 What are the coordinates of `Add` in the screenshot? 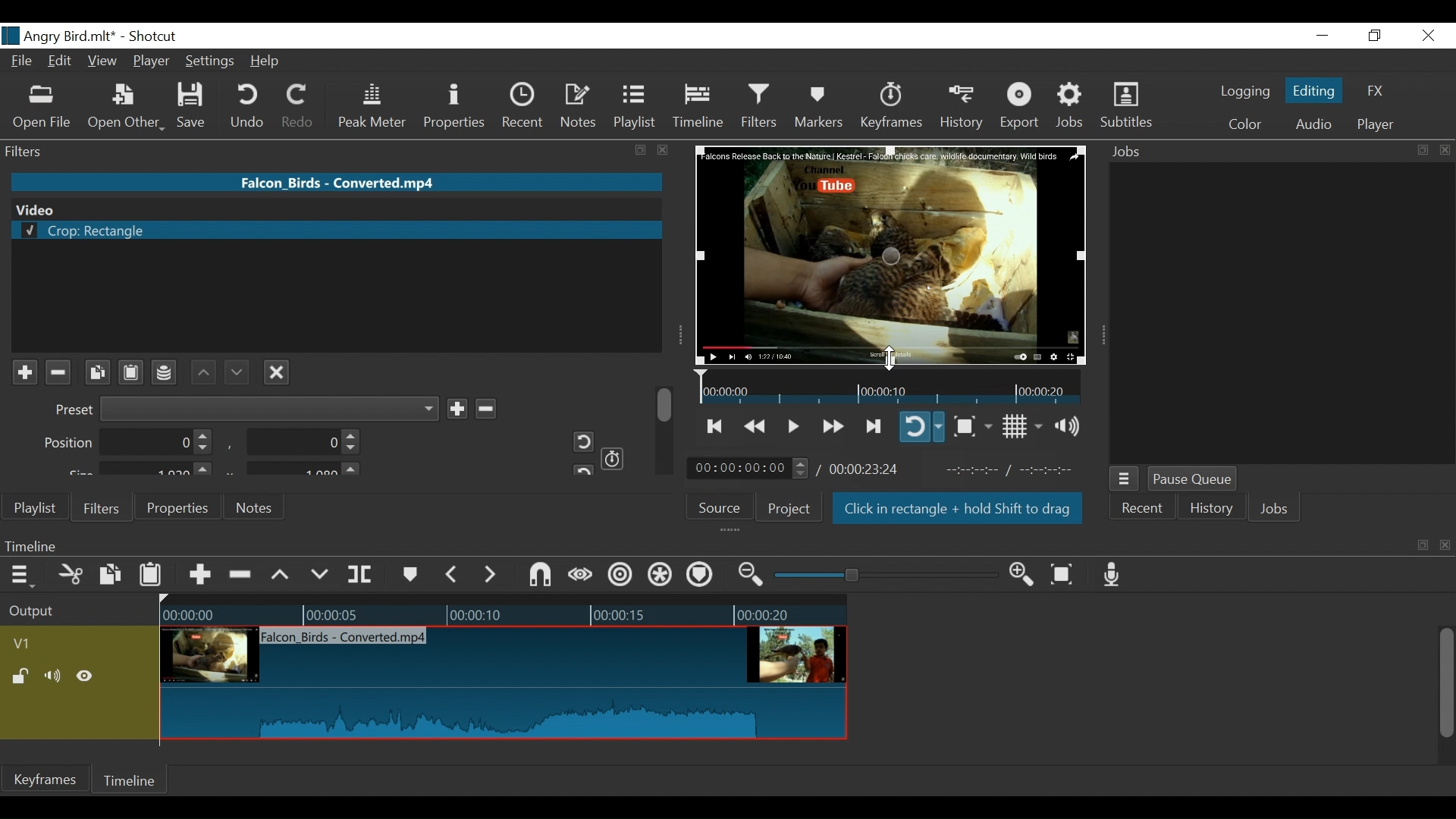 It's located at (457, 408).